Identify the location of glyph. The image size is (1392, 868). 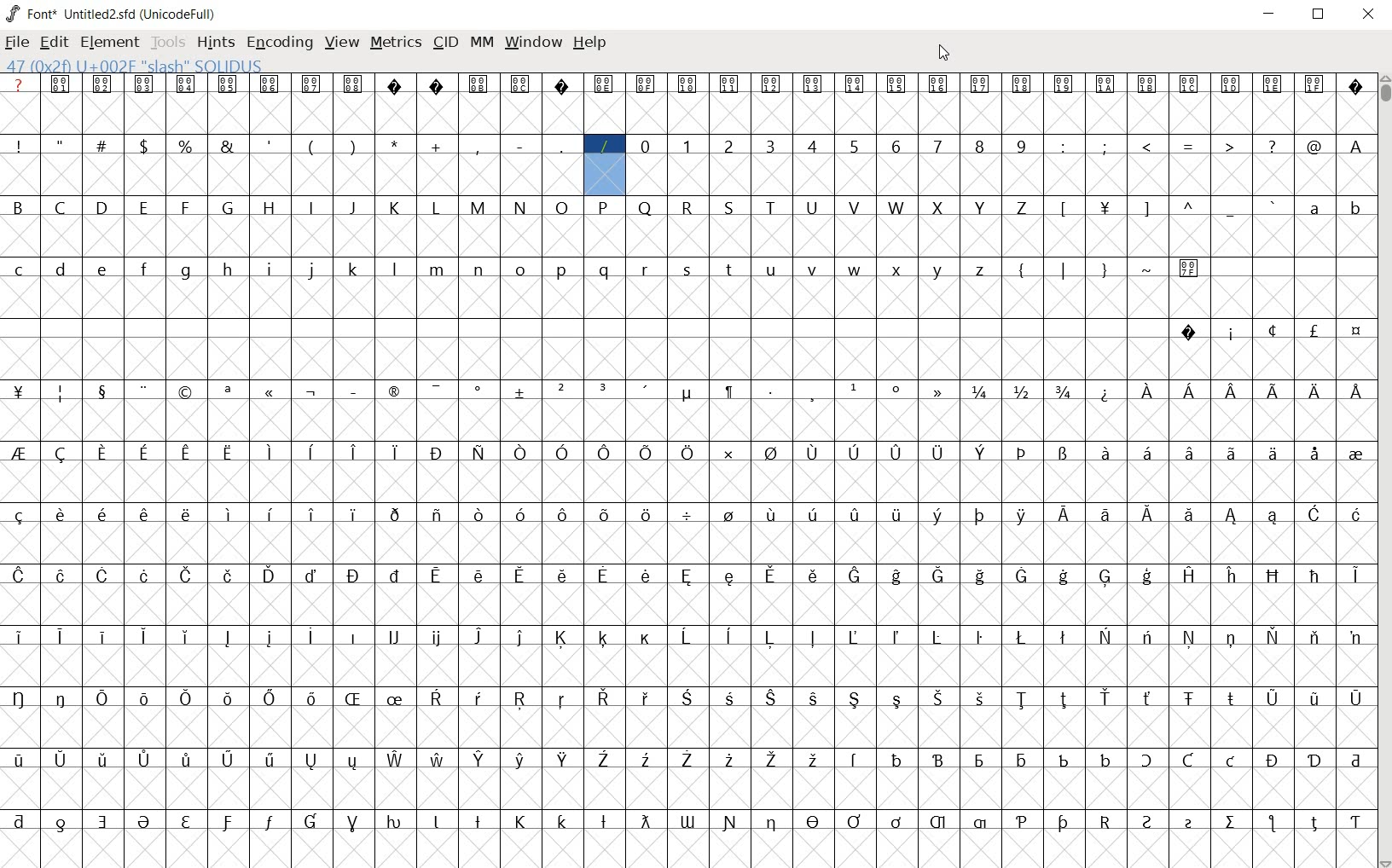
(687, 759).